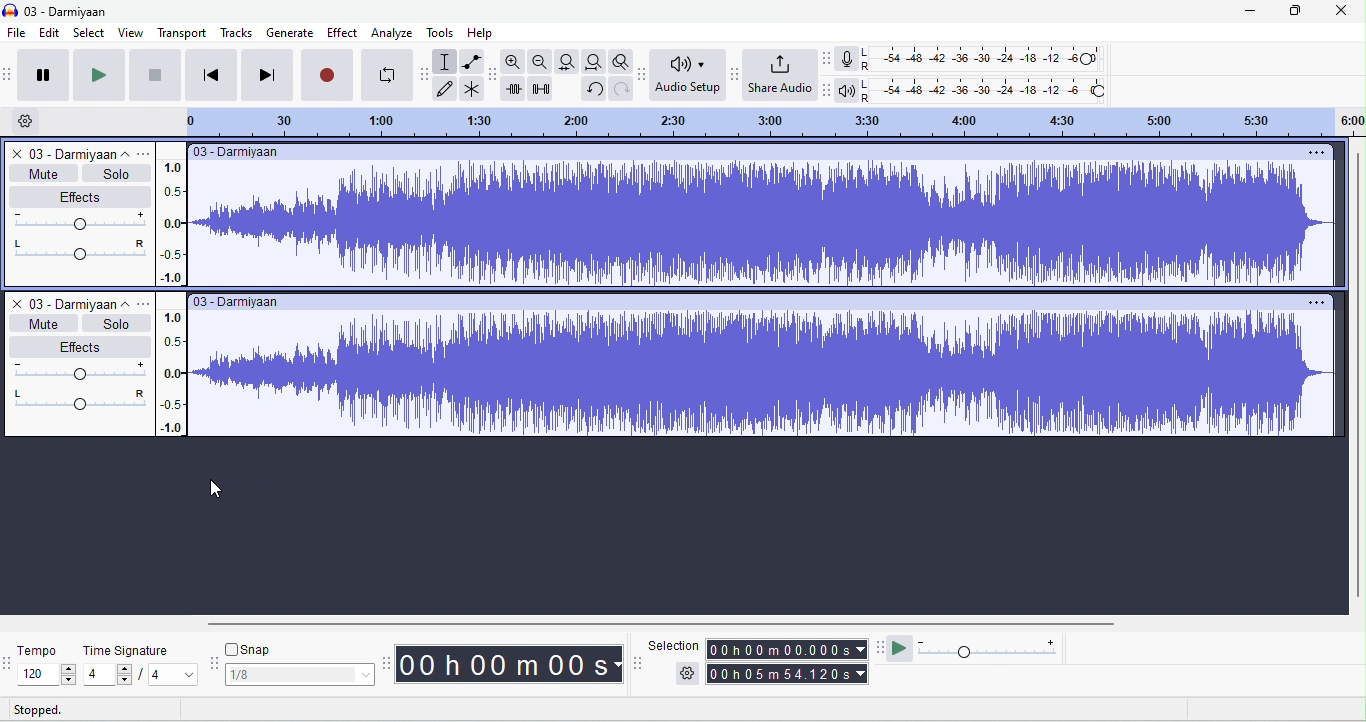  What do you see at coordinates (83, 155) in the screenshot?
I see `track title` at bounding box center [83, 155].